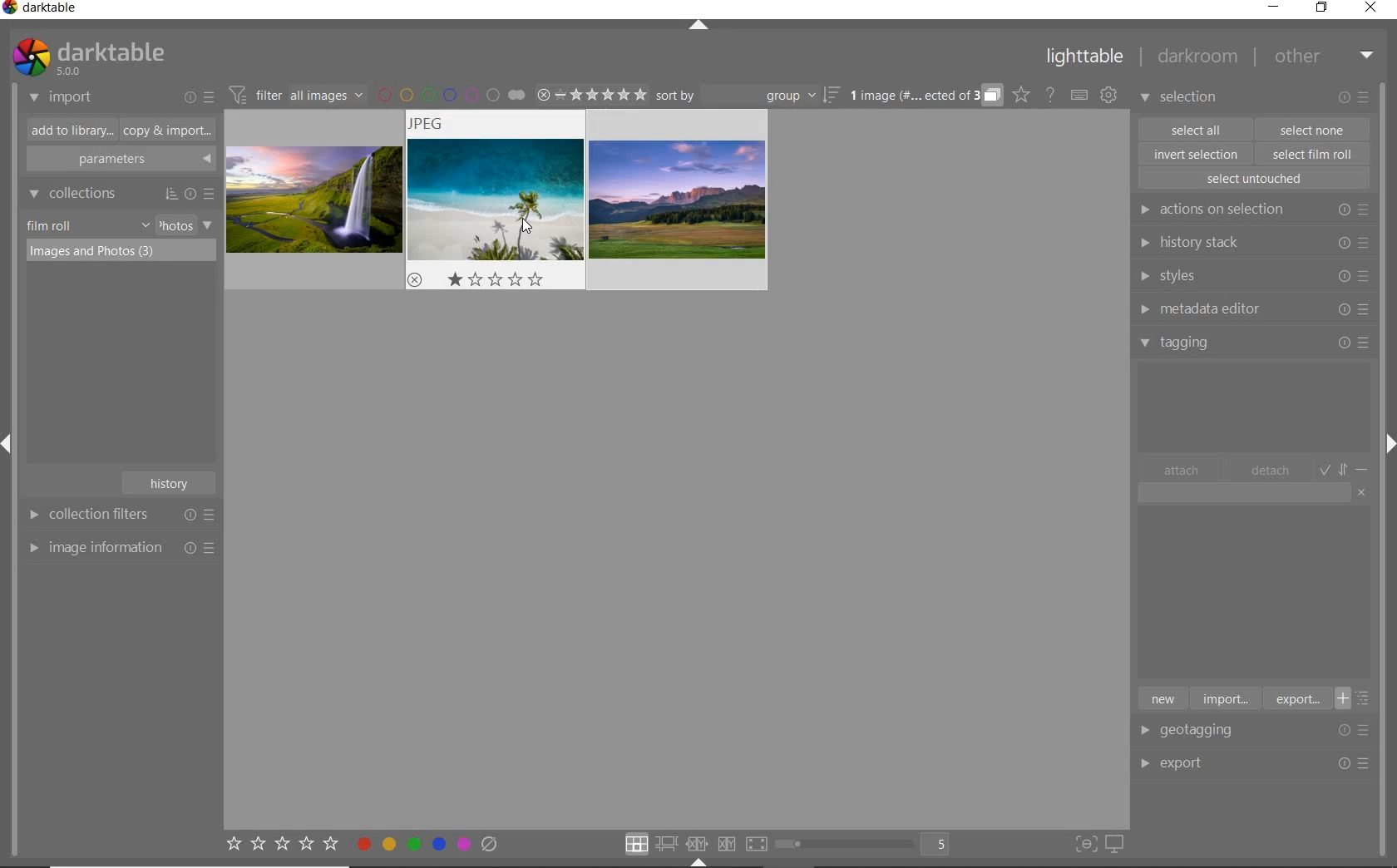 The image size is (1397, 868). I want to click on show global preferences, so click(1108, 96).